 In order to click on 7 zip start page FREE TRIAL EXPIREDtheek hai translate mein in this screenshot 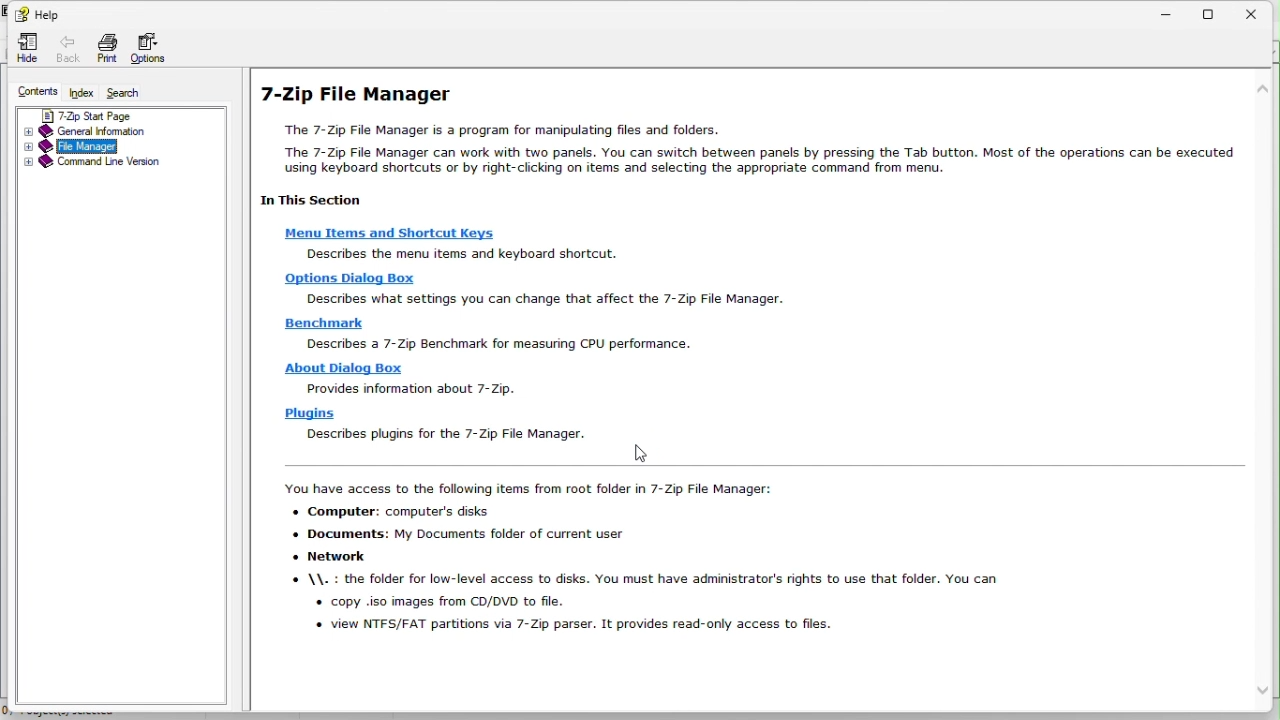, I will do `click(120, 115)`.